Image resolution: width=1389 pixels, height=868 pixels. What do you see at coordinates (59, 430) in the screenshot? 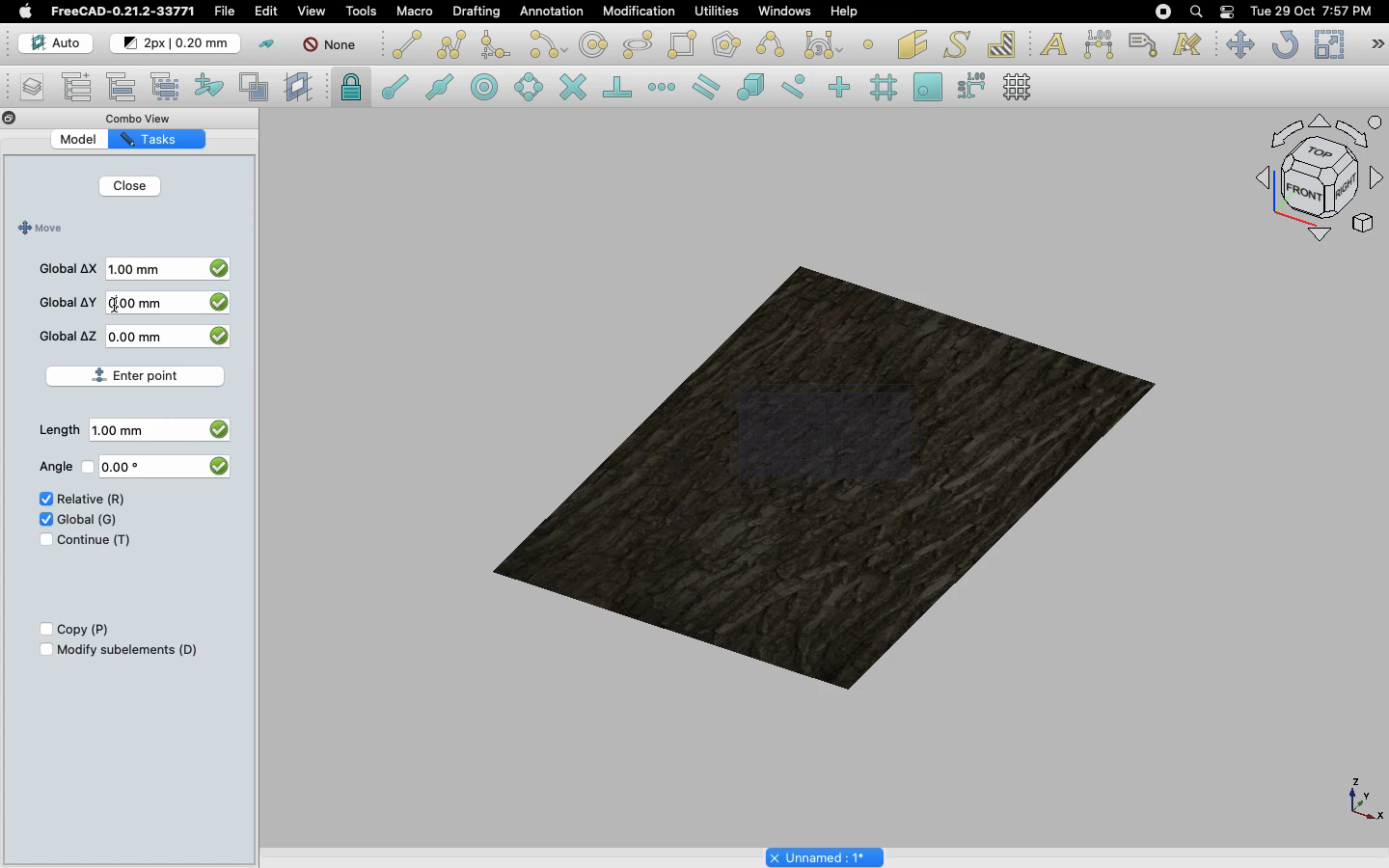
I see `Length` at bounding box center [59, 430].